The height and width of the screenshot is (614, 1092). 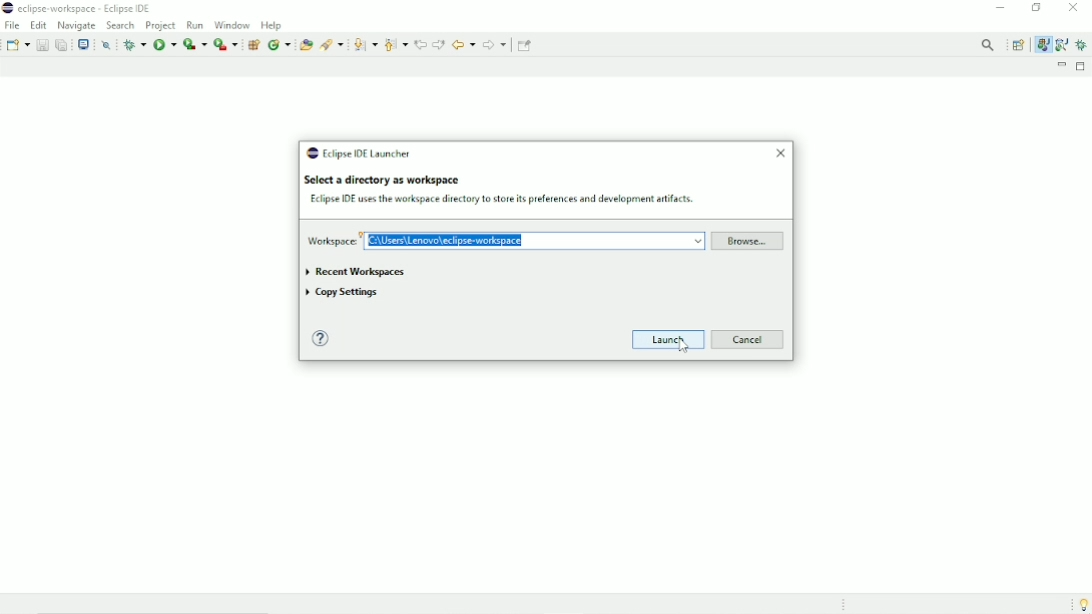 What do you see at coordinates (1062, 44) in the screenshot?
I see `Java browsing` at bounding box center [1062, 44].